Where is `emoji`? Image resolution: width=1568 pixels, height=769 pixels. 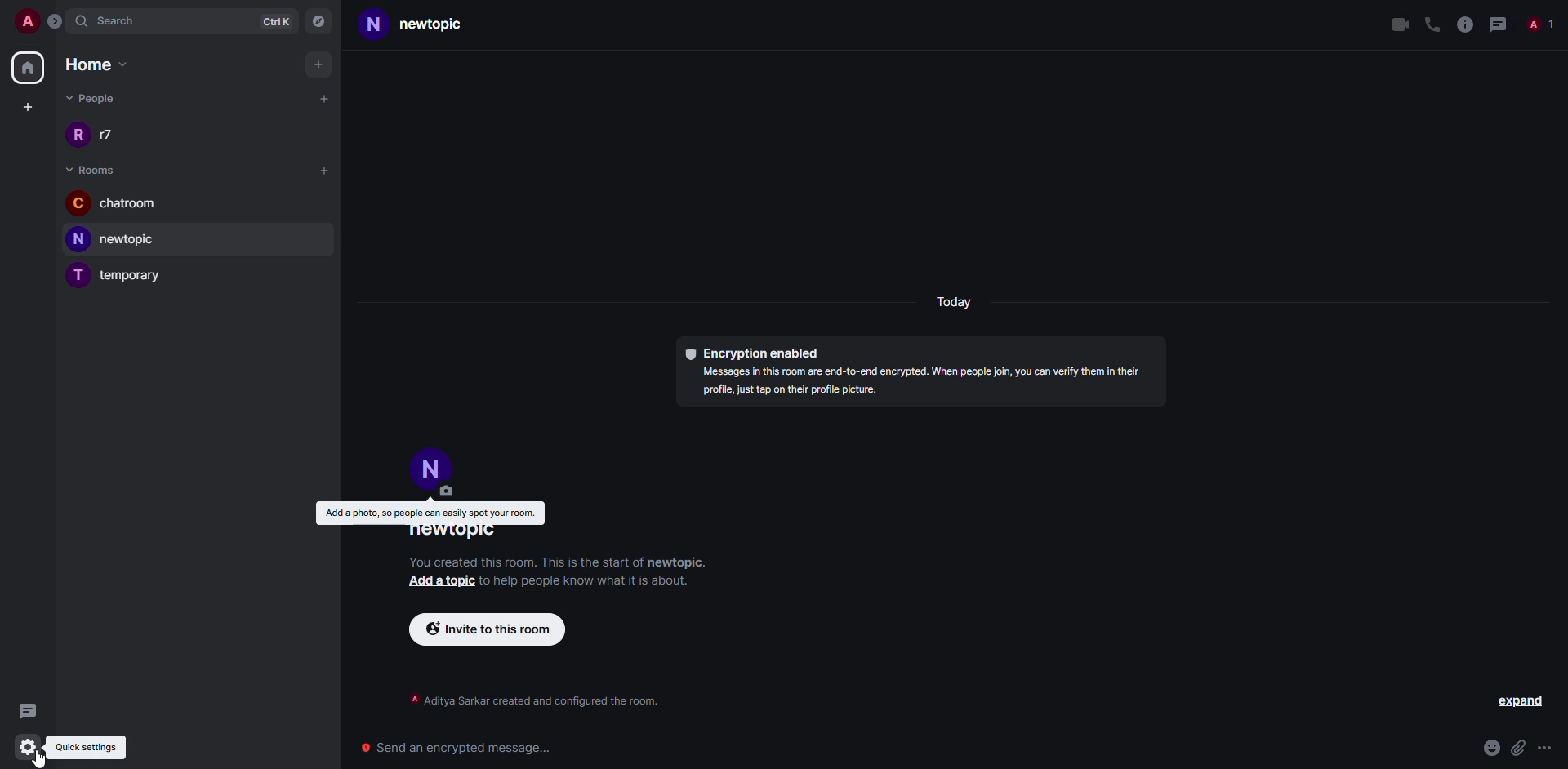 emoji is located at coordinates (1490, 749).